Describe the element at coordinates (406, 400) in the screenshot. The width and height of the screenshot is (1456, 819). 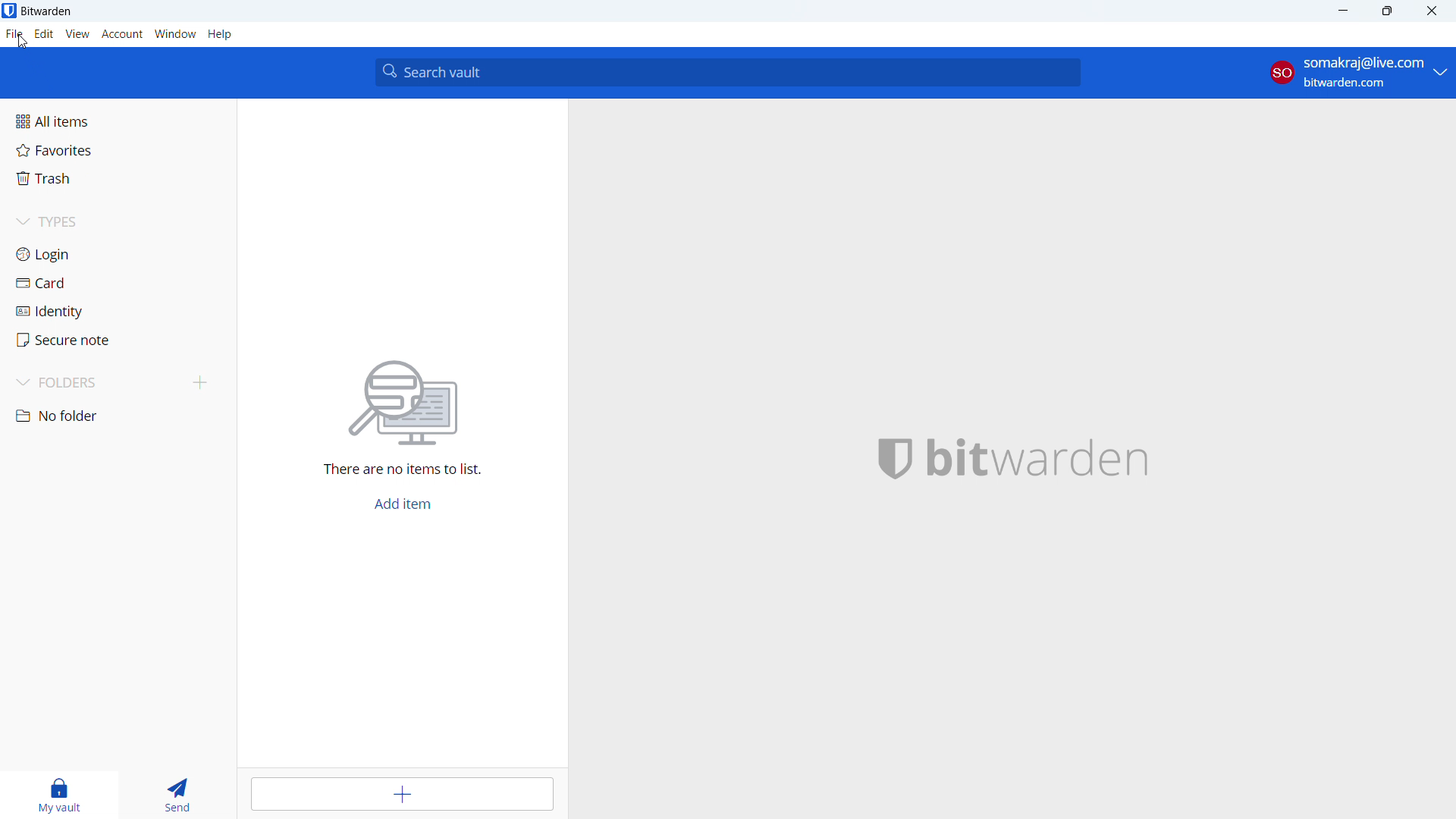
I see `search for file vector image` at that location.